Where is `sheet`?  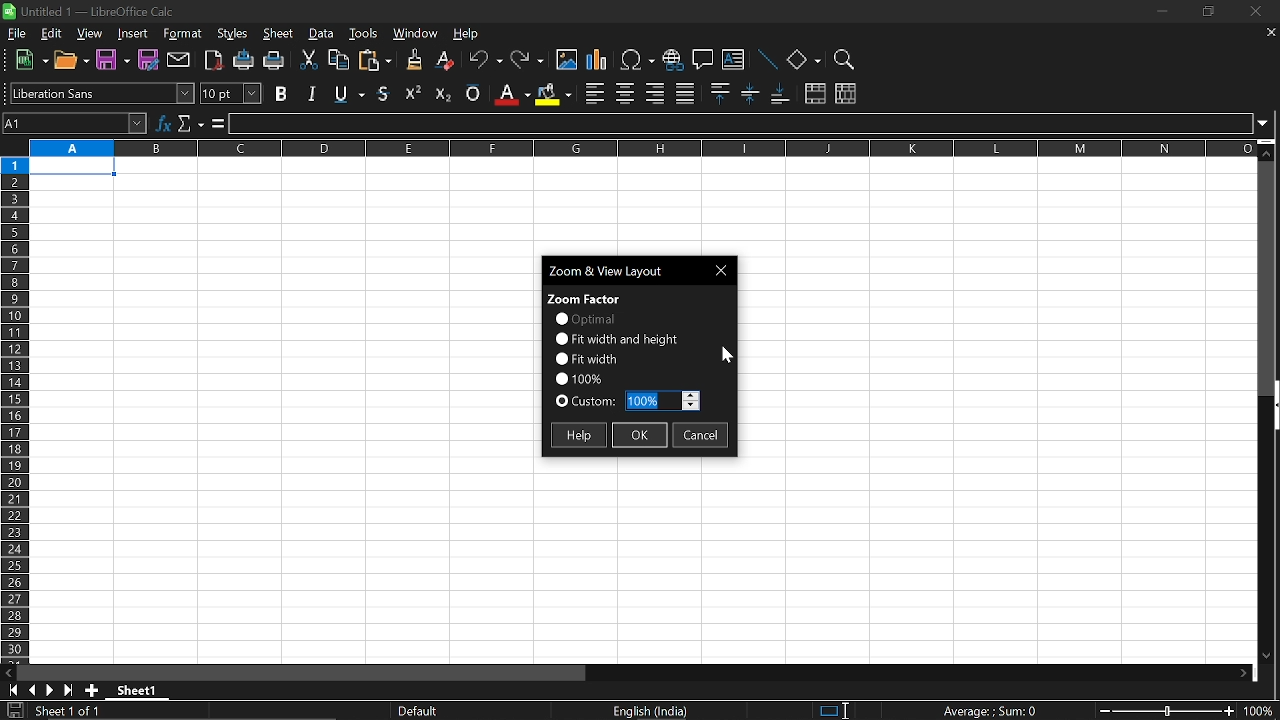
sheet is located at coordinates (279, 35).